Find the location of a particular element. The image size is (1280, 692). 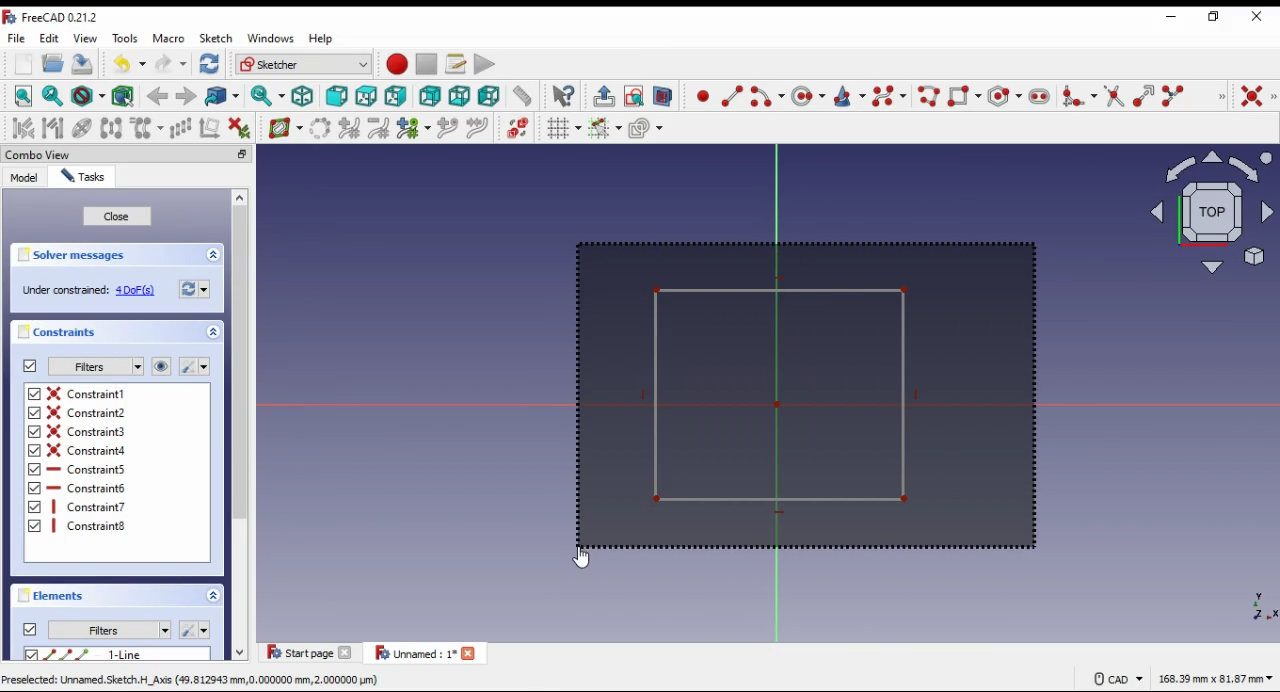

measure distance is located at coordinates (523, 95).